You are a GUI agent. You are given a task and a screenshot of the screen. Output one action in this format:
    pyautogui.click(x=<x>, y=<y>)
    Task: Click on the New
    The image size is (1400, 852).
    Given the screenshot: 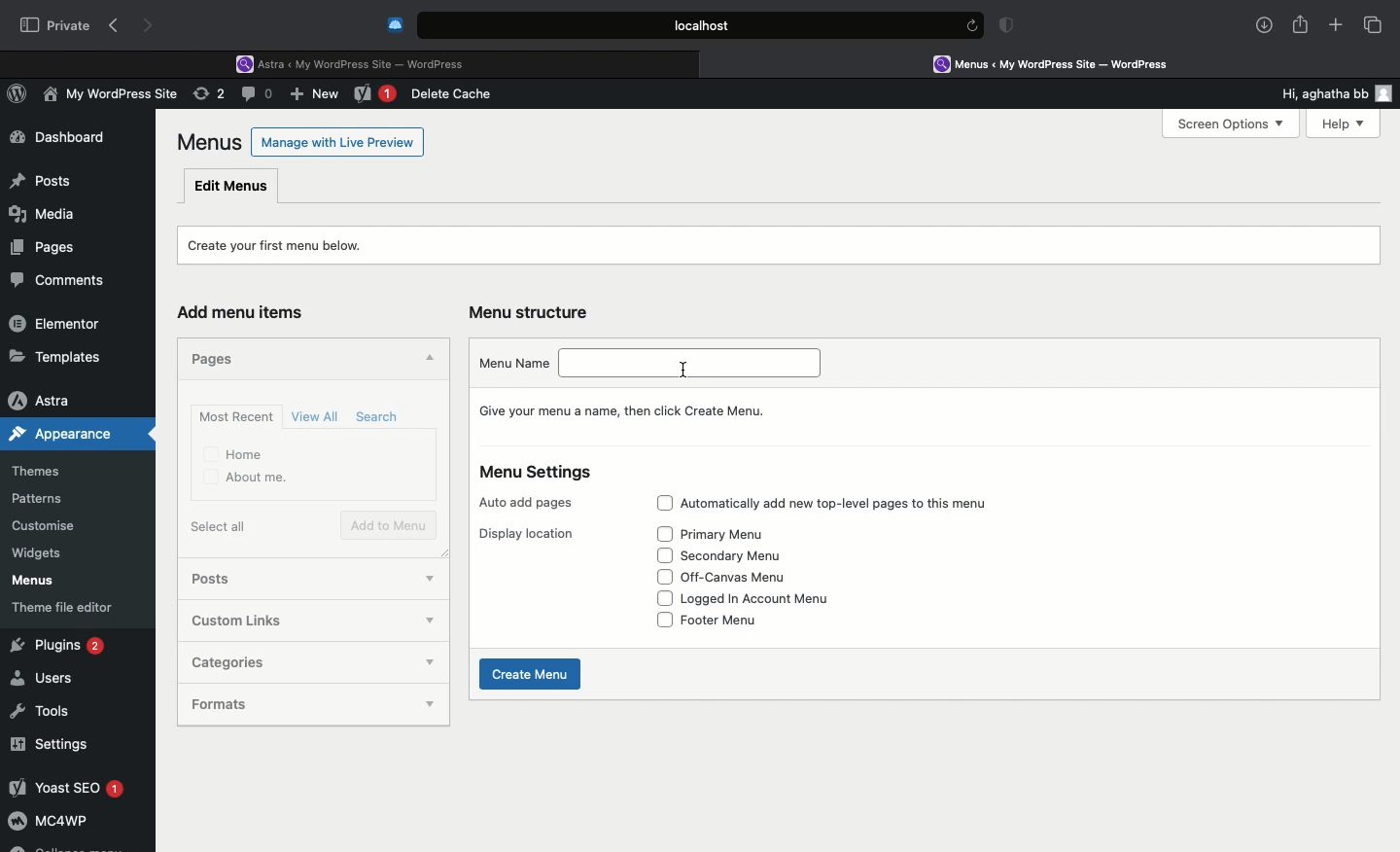 What is the action you would take?
    pyautogui.click(x=375, y=95)
    